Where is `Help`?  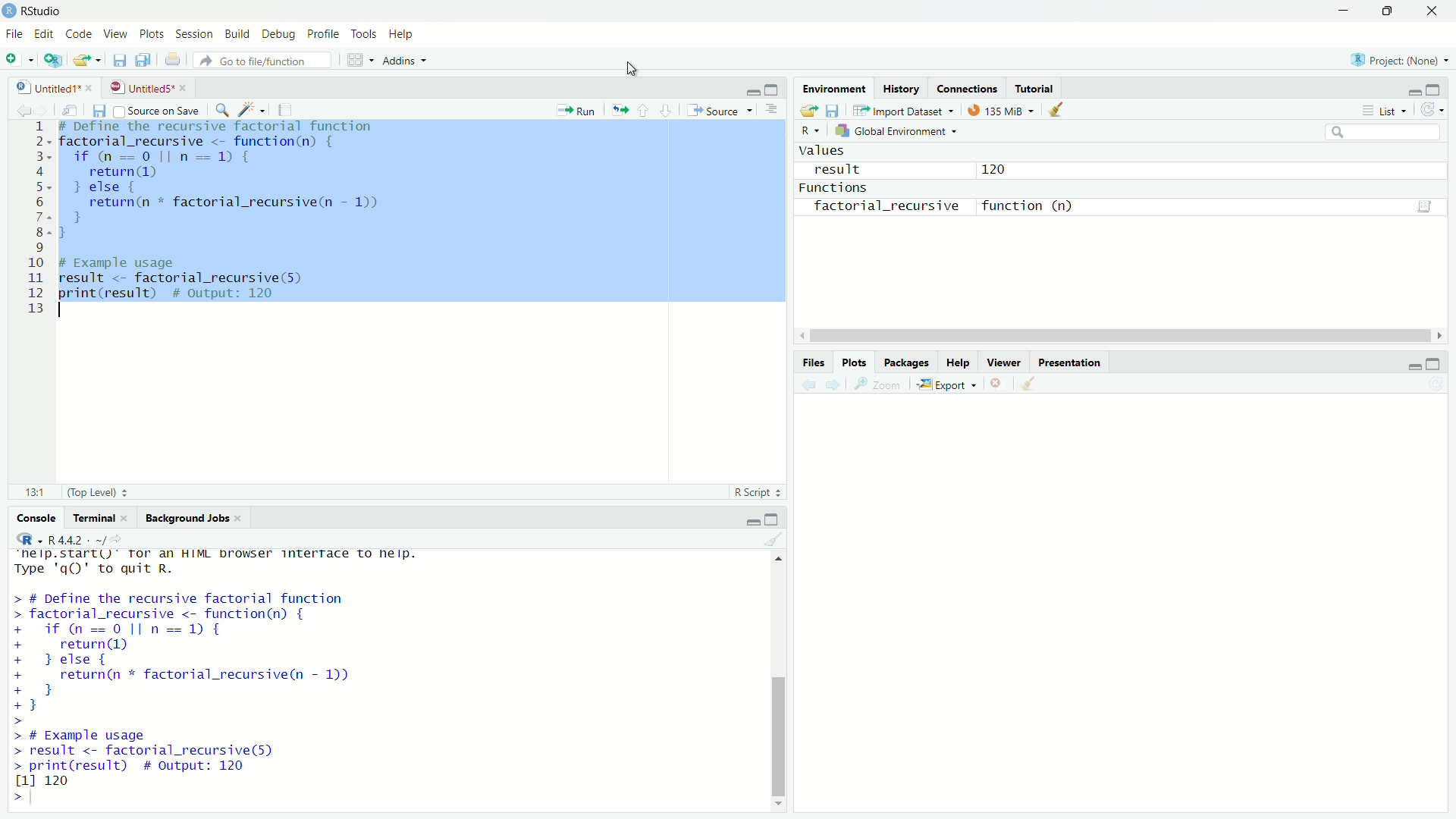
Help is located at coordinates (402, 34).